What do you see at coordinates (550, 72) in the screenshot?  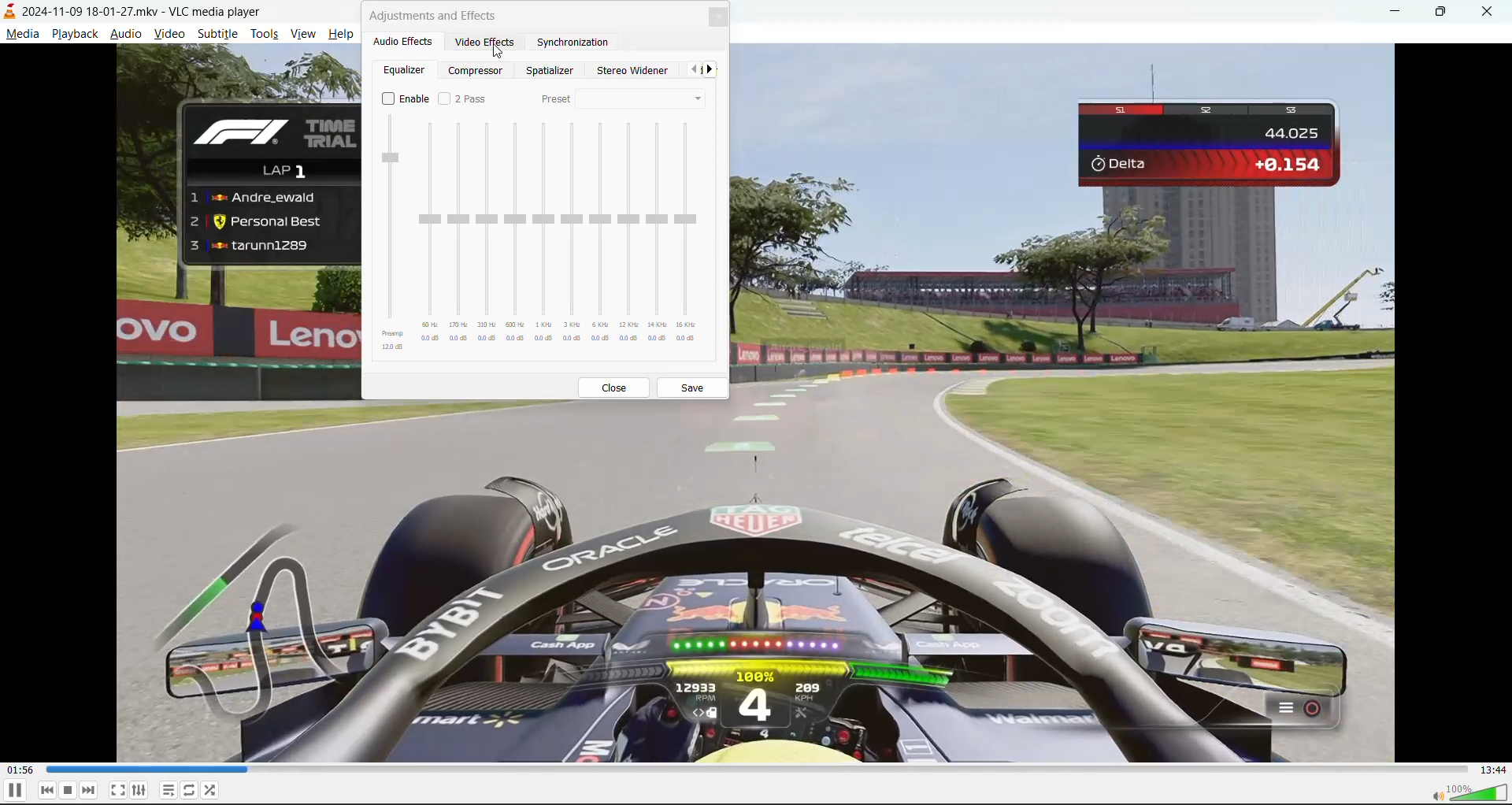 I see `spatializer` at bounding box center [550, 72].